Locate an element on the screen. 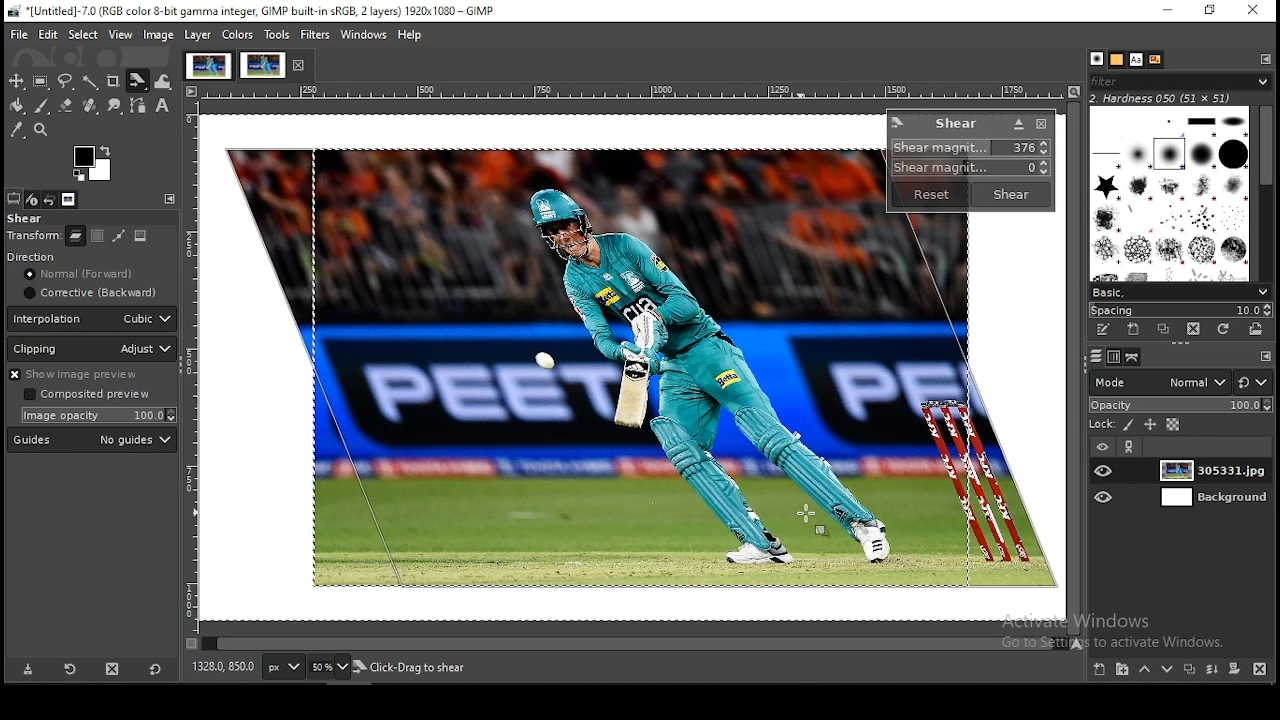 The image size is (1280, 720). transform is located at coordinates (34, 237).